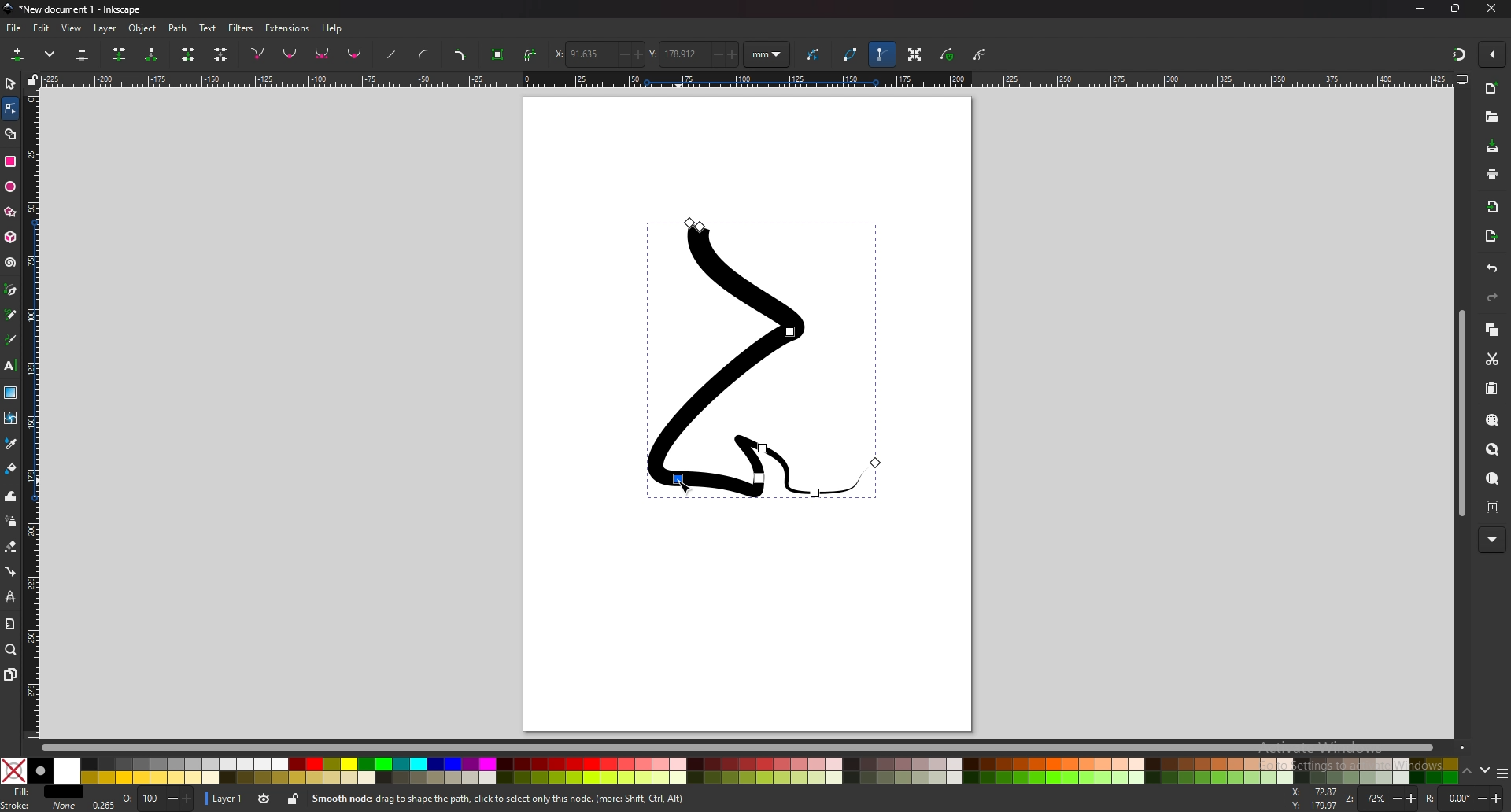 The width and height of the screenshot is (1511, 812). Describe the element at coordinates (882, 55) in the screenshot. I see `bezier handle` at that location.